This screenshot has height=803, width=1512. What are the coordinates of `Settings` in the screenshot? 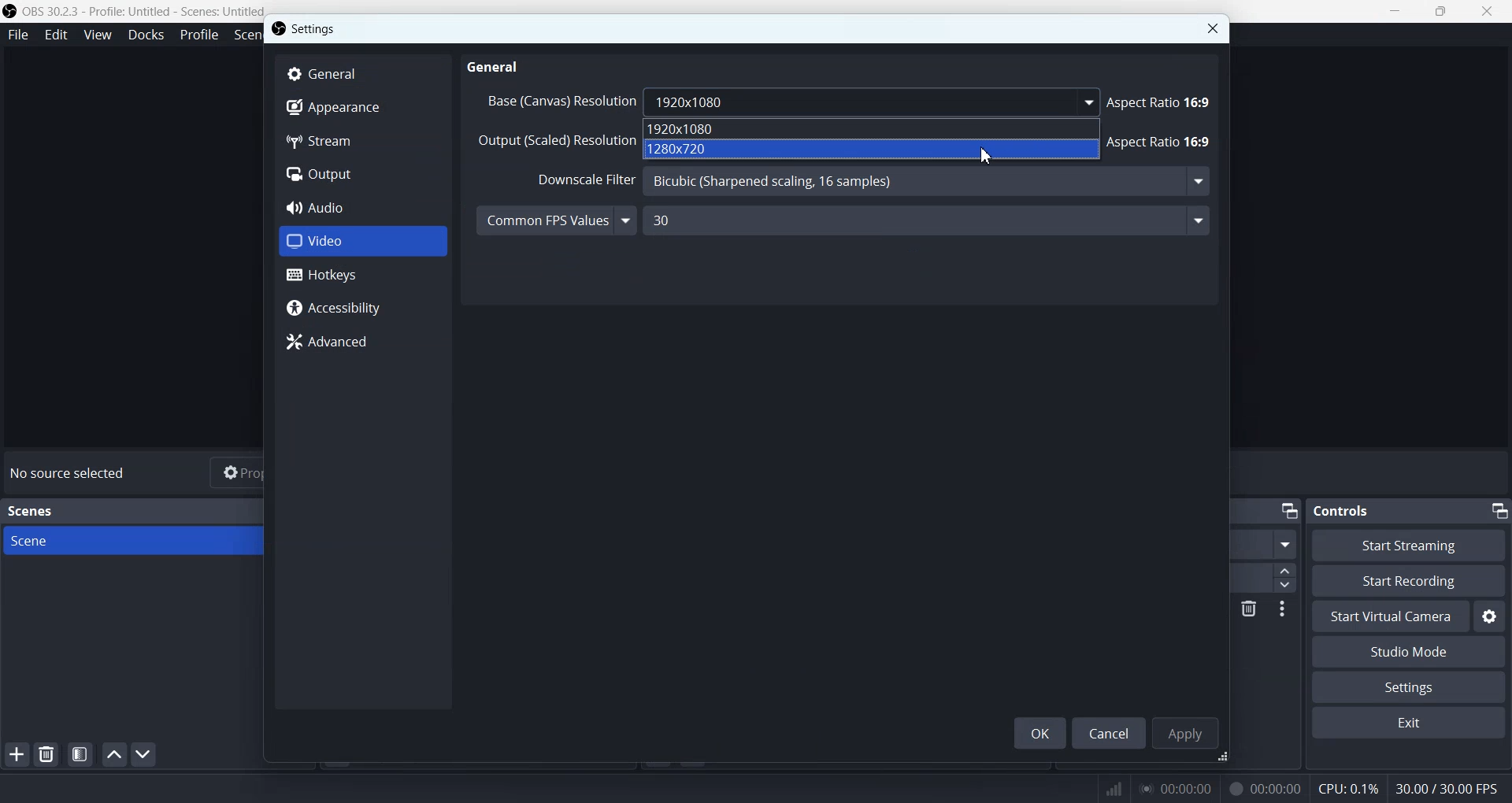 It's located at (1491, 618).